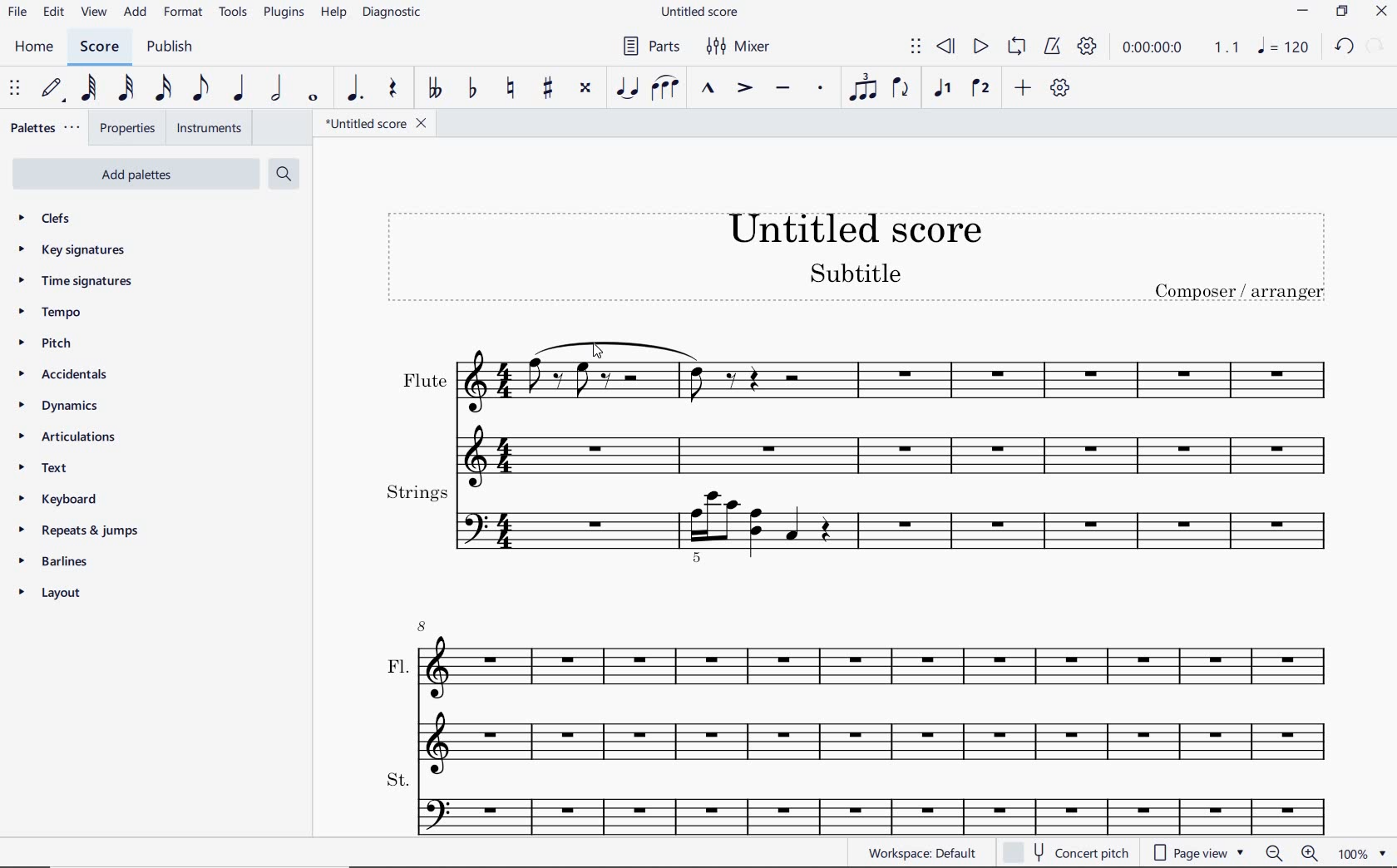 Image resolution: width=1397 pixels, height=868 pixels. I want to click on minimize, so click(1304, 13).